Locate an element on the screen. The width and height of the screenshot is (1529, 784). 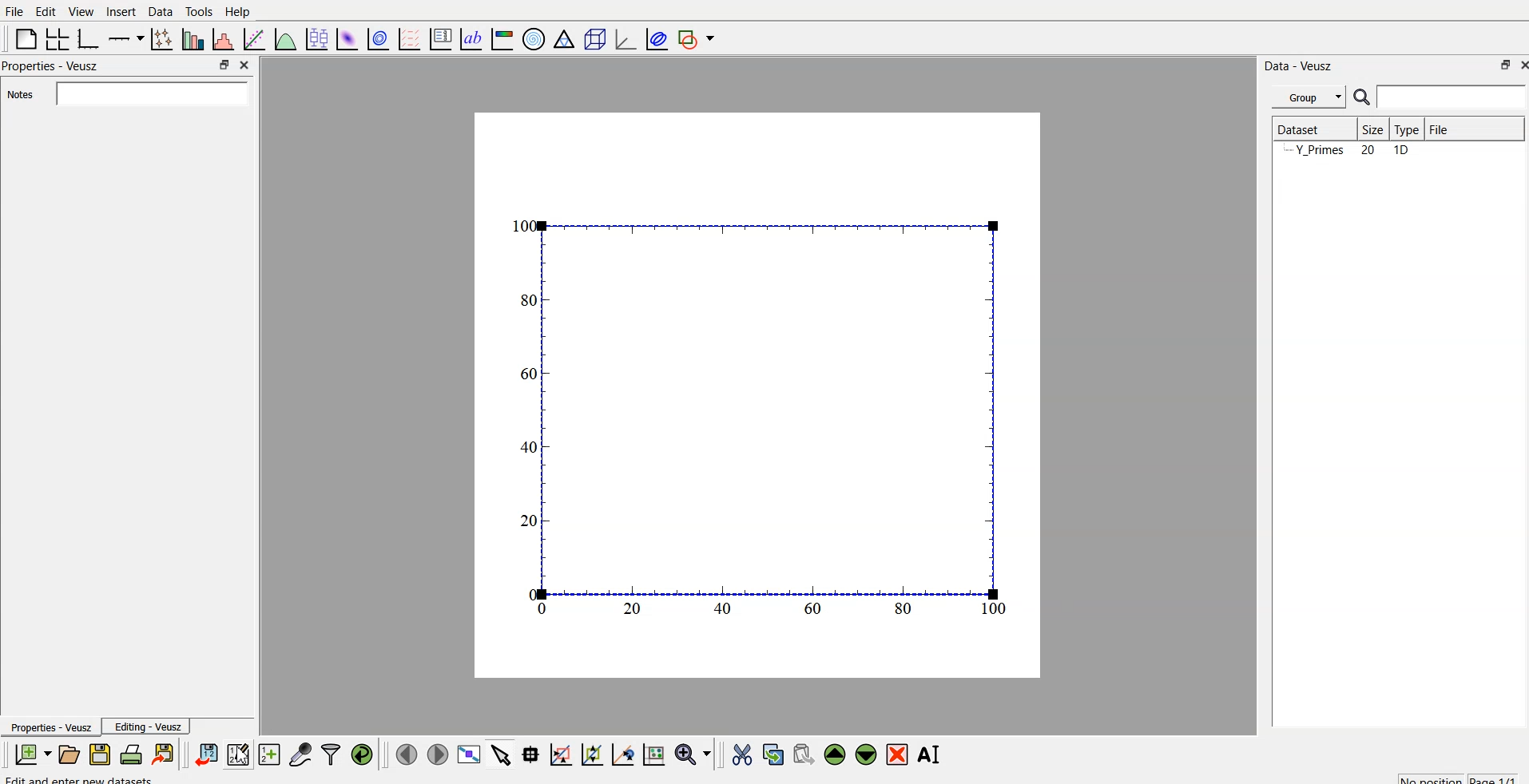
editor is located at coordinates (239, 754).